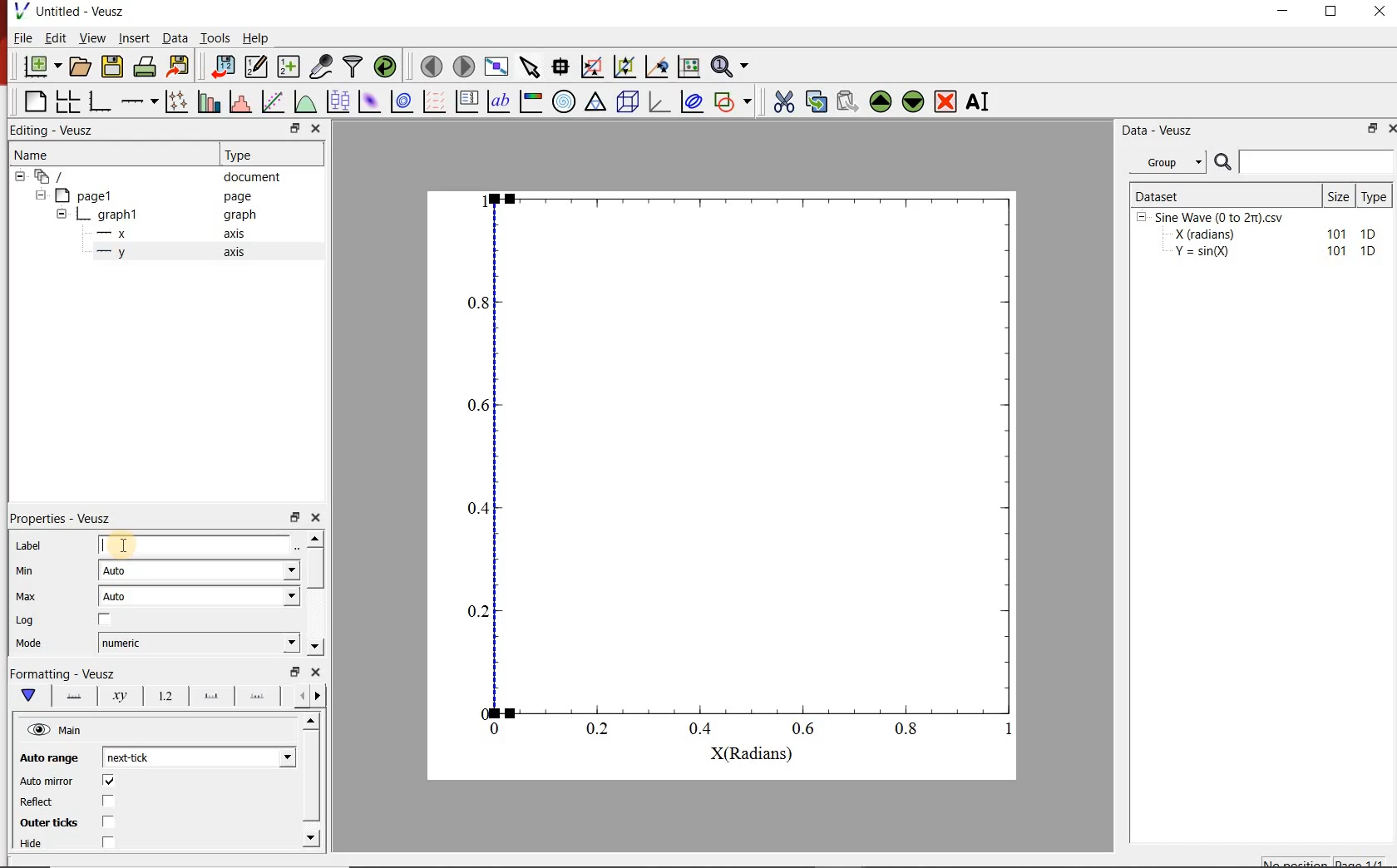  I want to click on Auto range, so click(47, 756).